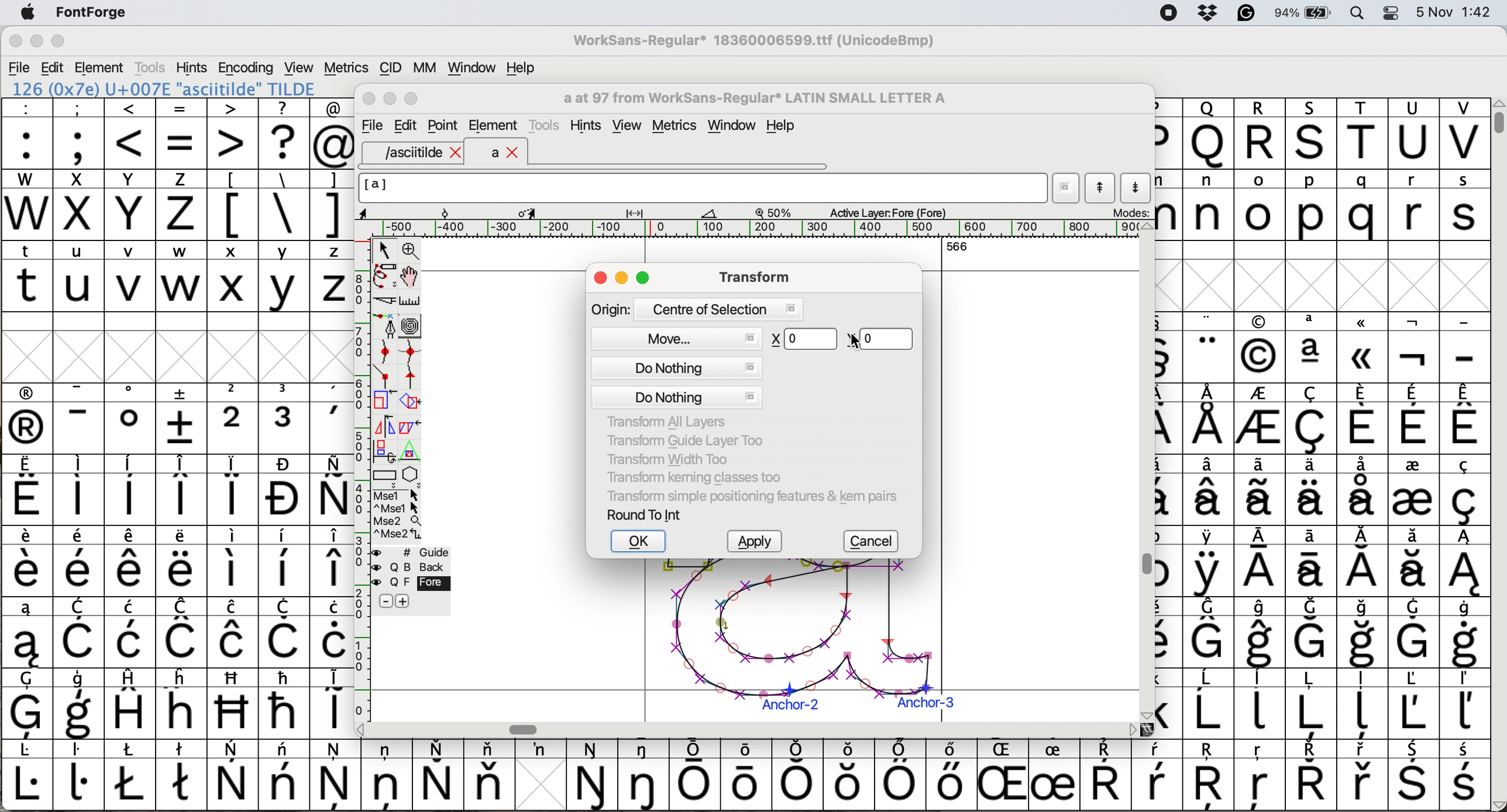  I want to click on element, so click(494, 127).